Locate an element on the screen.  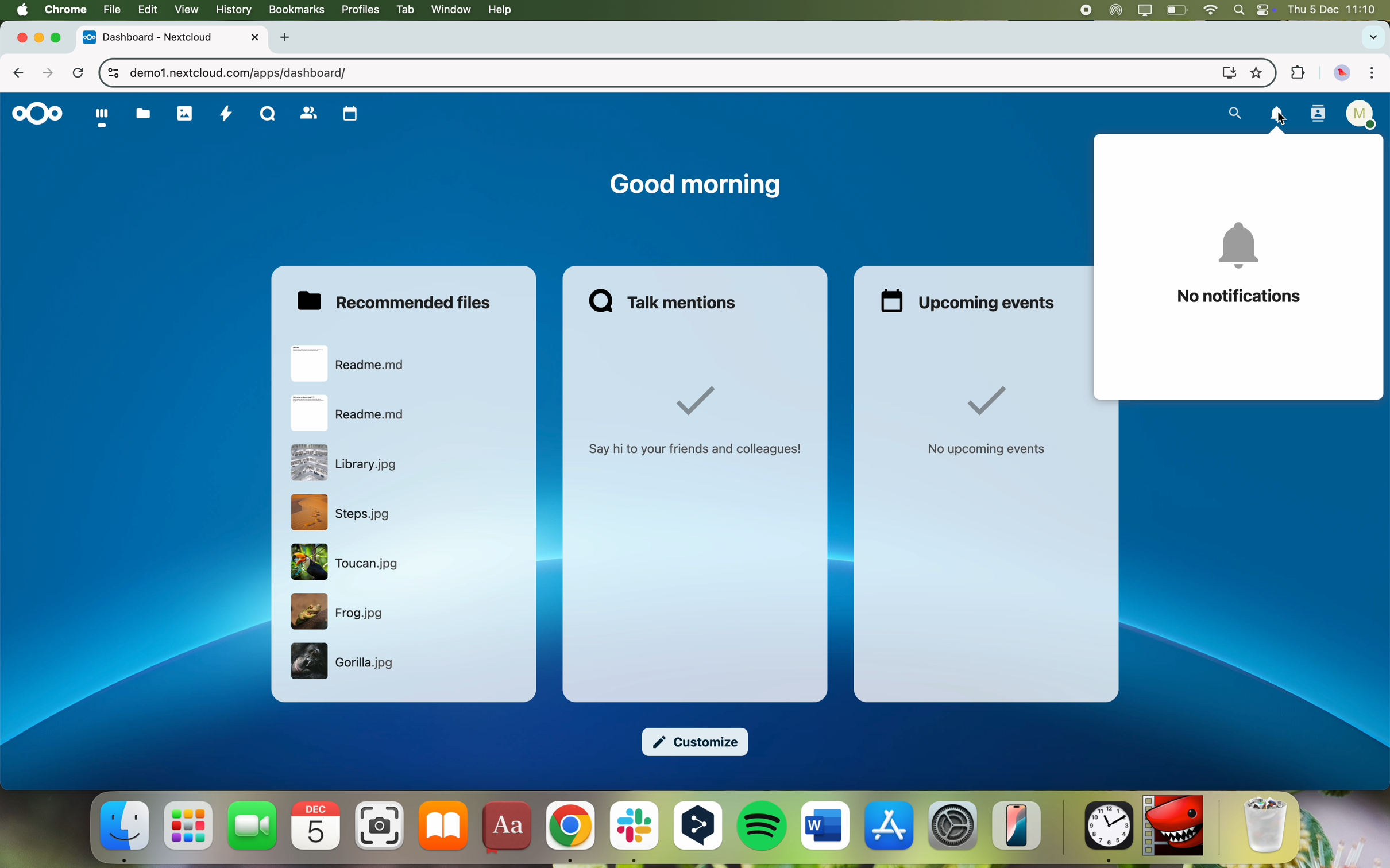
photos is located at coordinates (186, 113).